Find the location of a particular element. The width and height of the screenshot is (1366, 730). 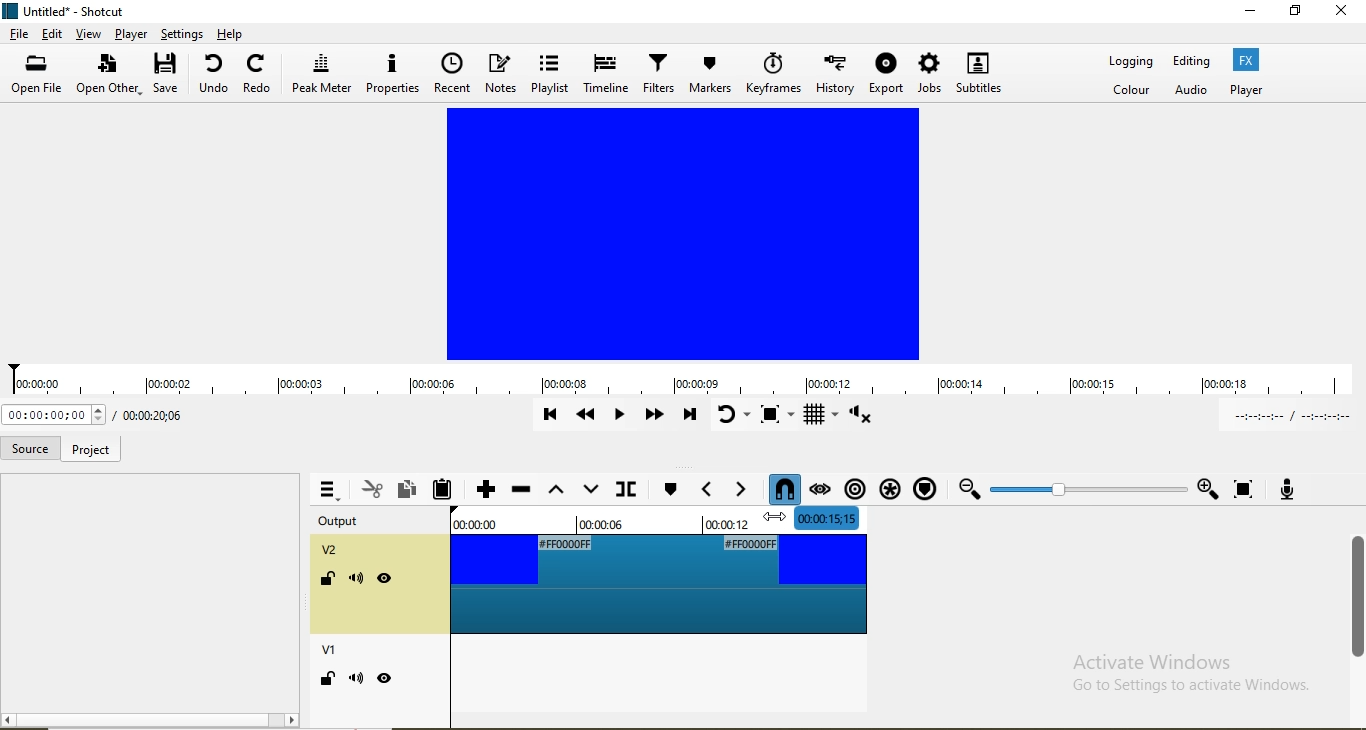

mute is located at coordinates (356, 678).